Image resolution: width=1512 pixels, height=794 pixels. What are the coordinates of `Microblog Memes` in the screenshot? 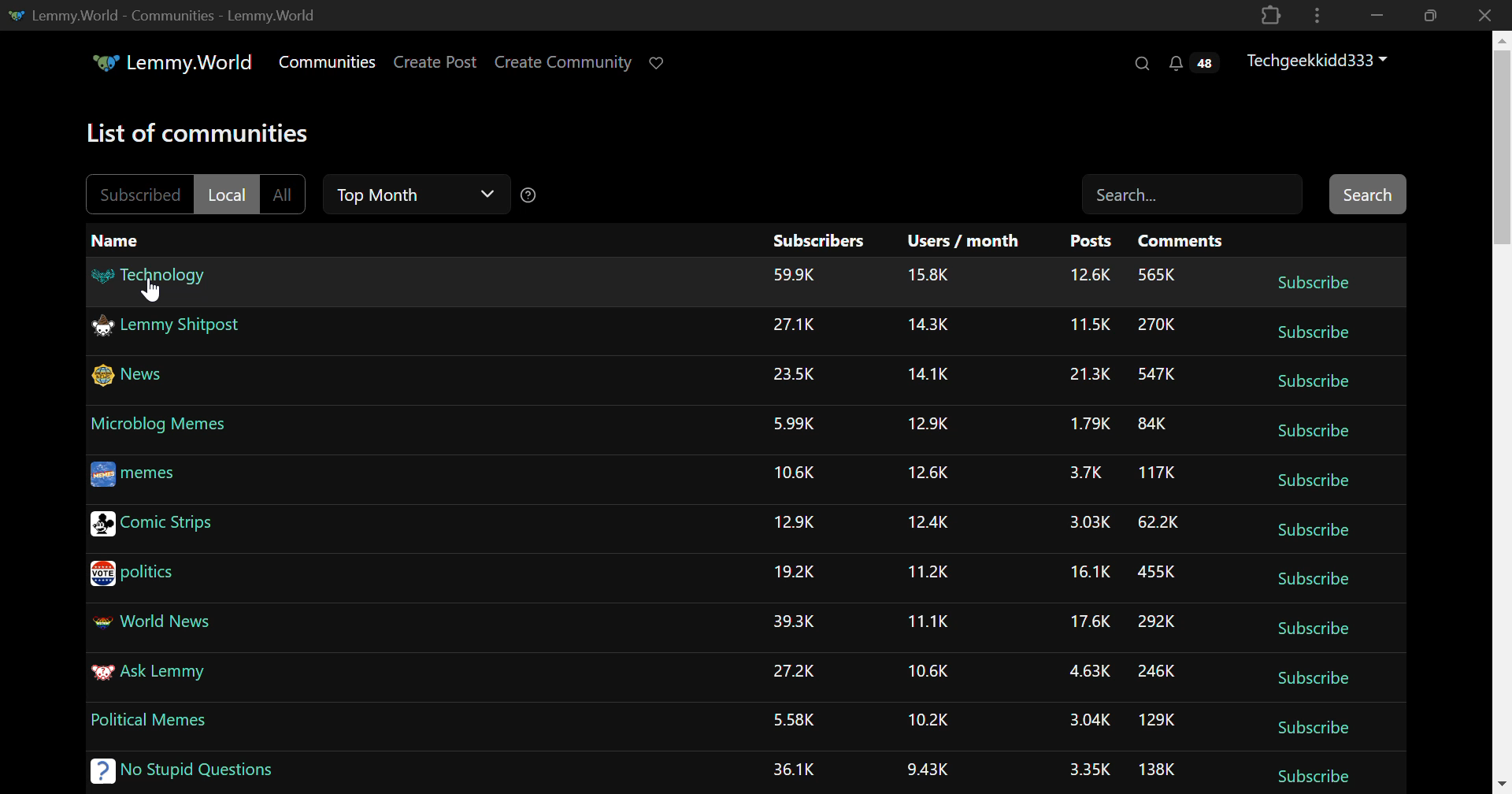 It's located at (161, 425).